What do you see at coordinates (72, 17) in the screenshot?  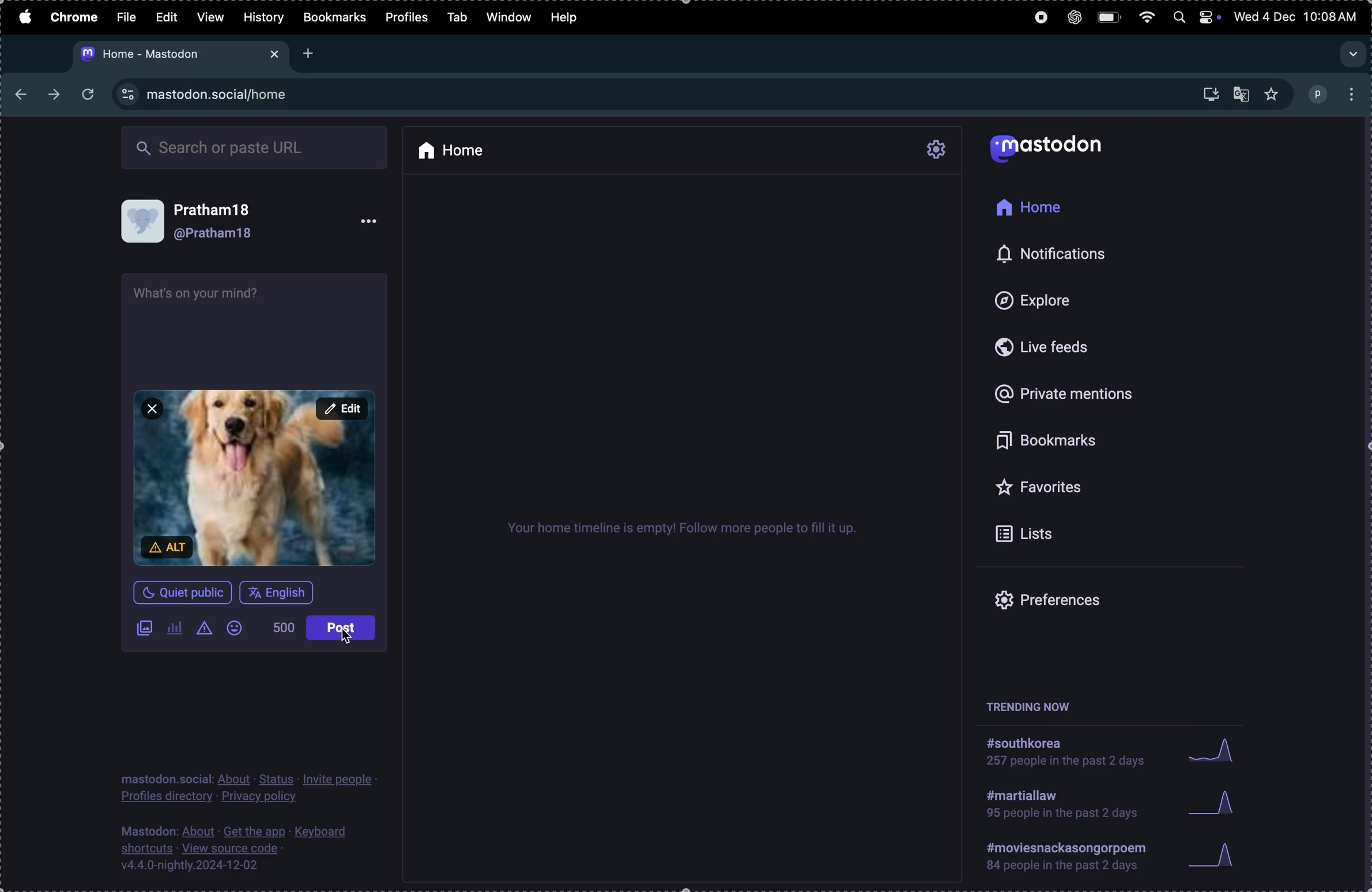 I see `Chrome` at bounding box center [72, 17].